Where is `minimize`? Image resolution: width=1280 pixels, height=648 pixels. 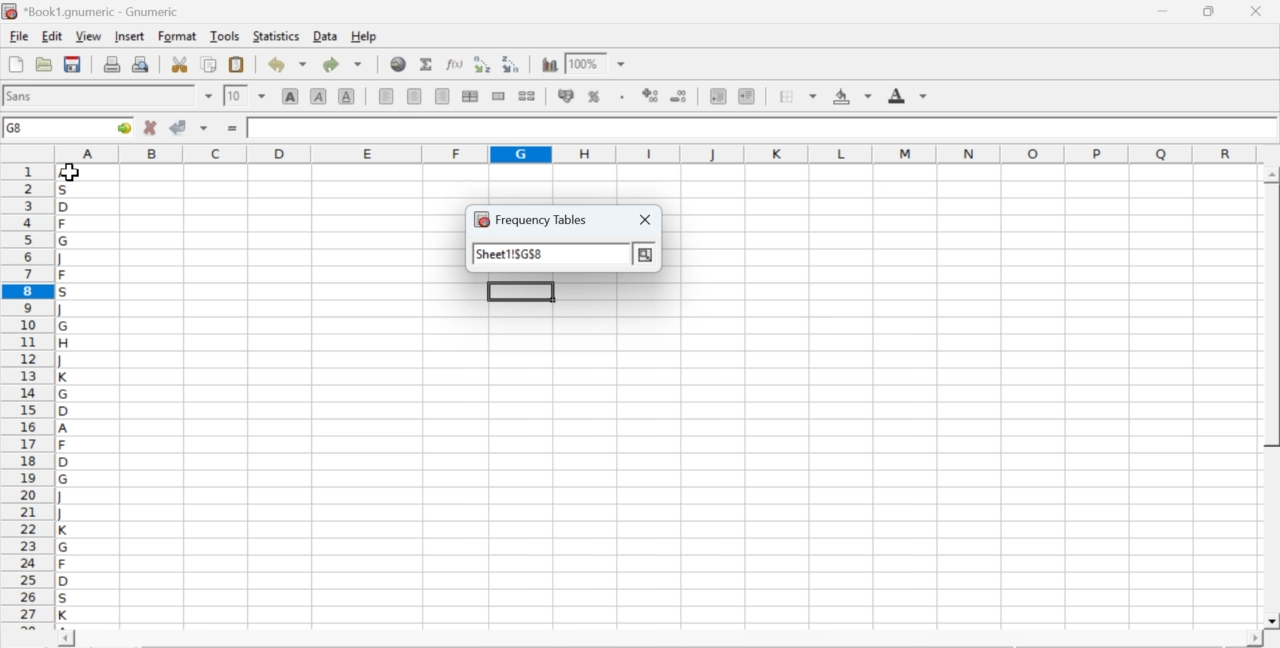 minimize is located at coordinates (1164, 11).